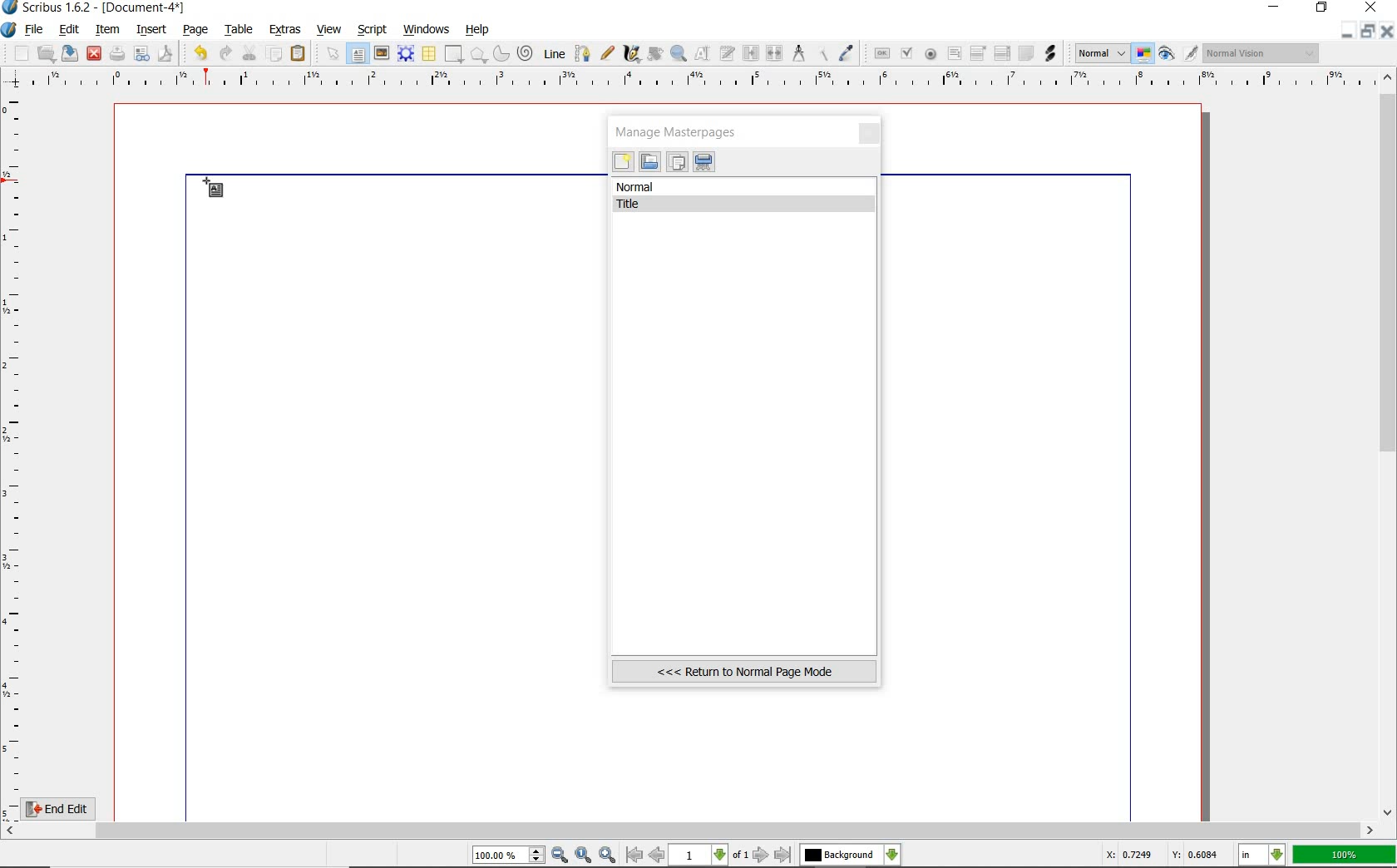  I want to click on edit, so click(67, 31).